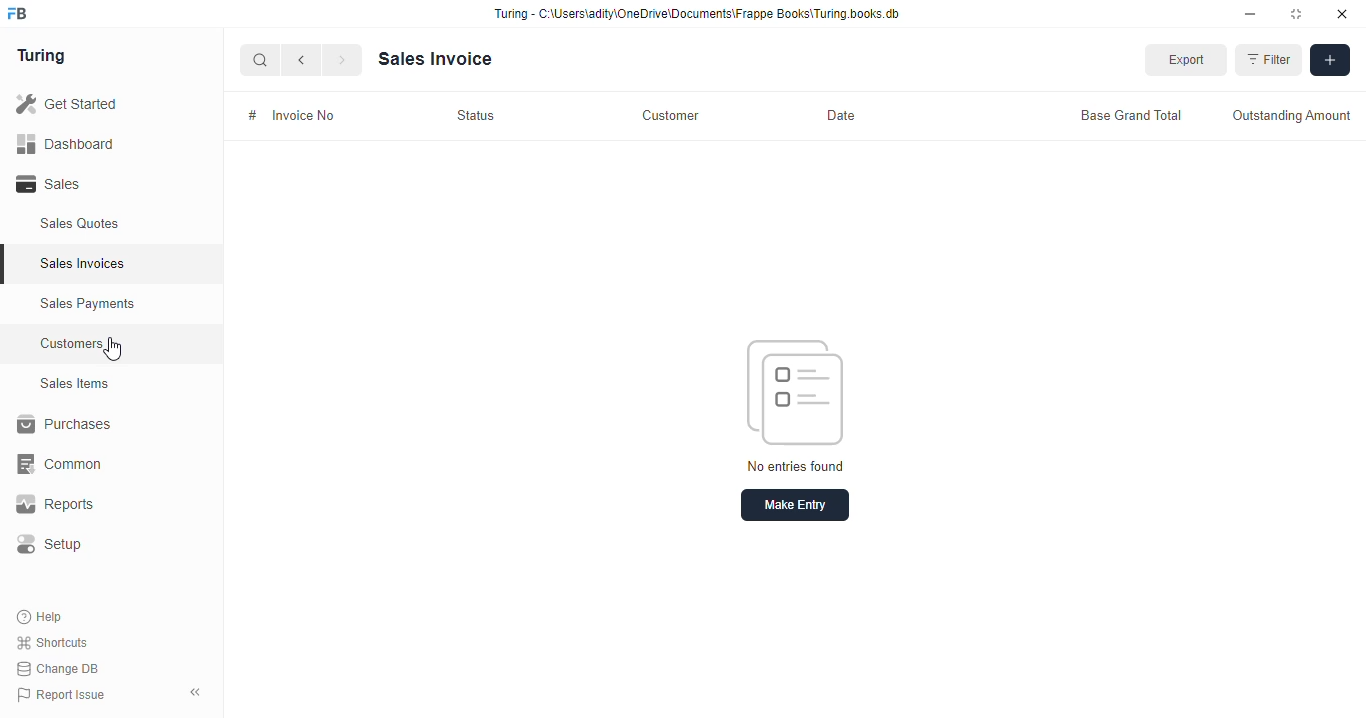  What do you see at coordinates (107, 226) in the screenshot?
I see `Sales Quotes` at bounding box center [107, 226].